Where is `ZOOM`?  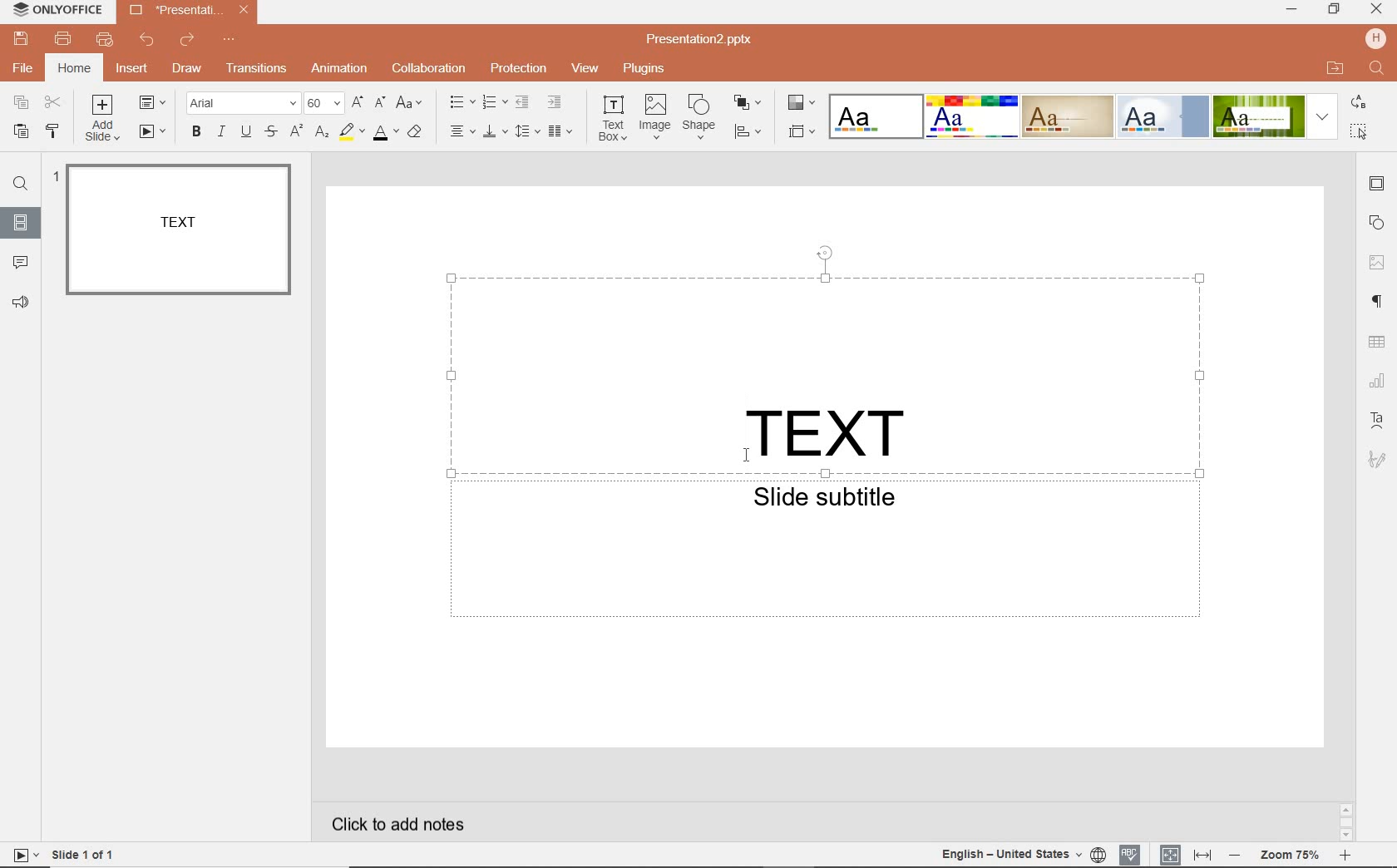
ZOOM is located at coordinates (1288, 856).